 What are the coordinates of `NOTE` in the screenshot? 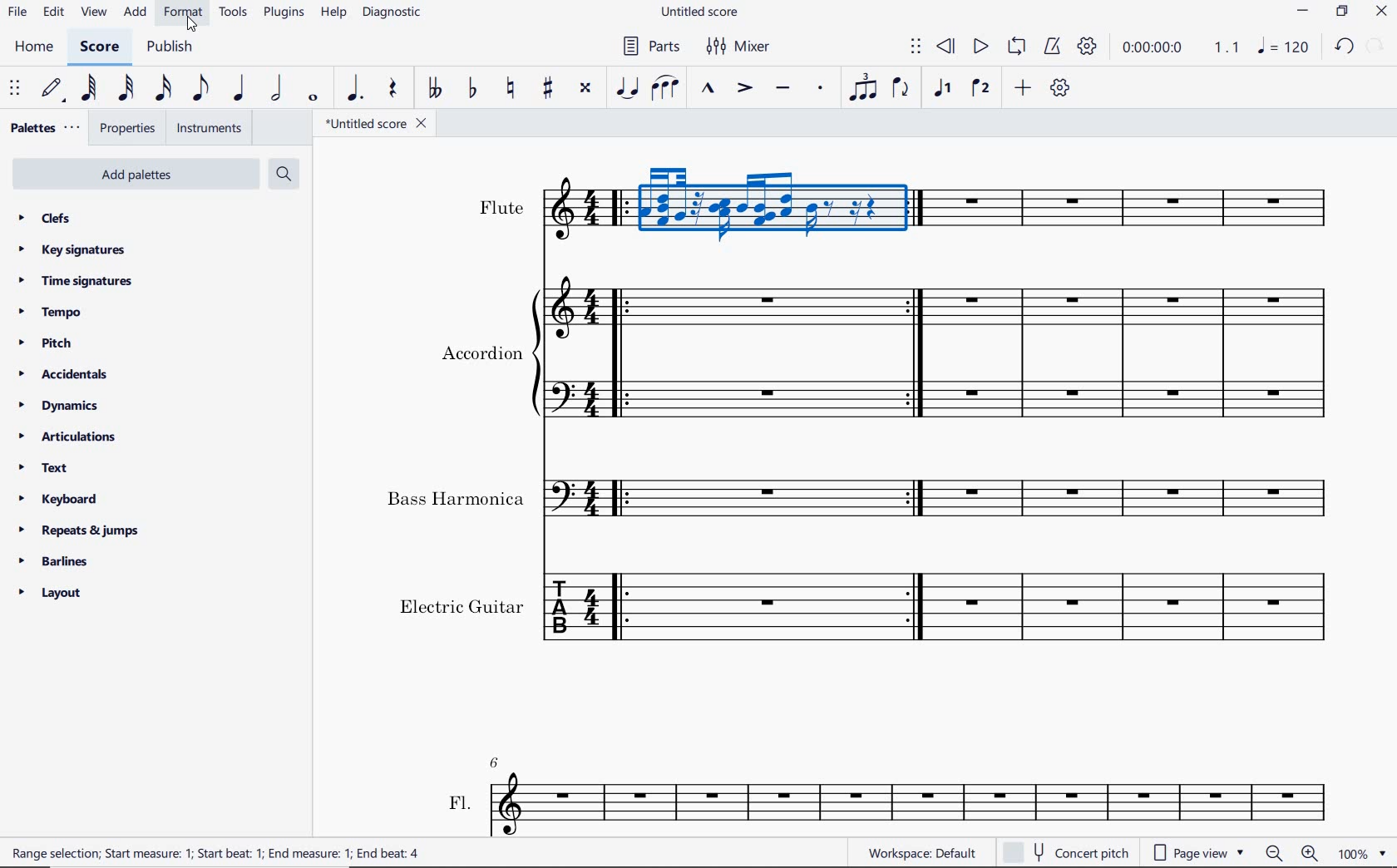 It's located at (1284, 46).